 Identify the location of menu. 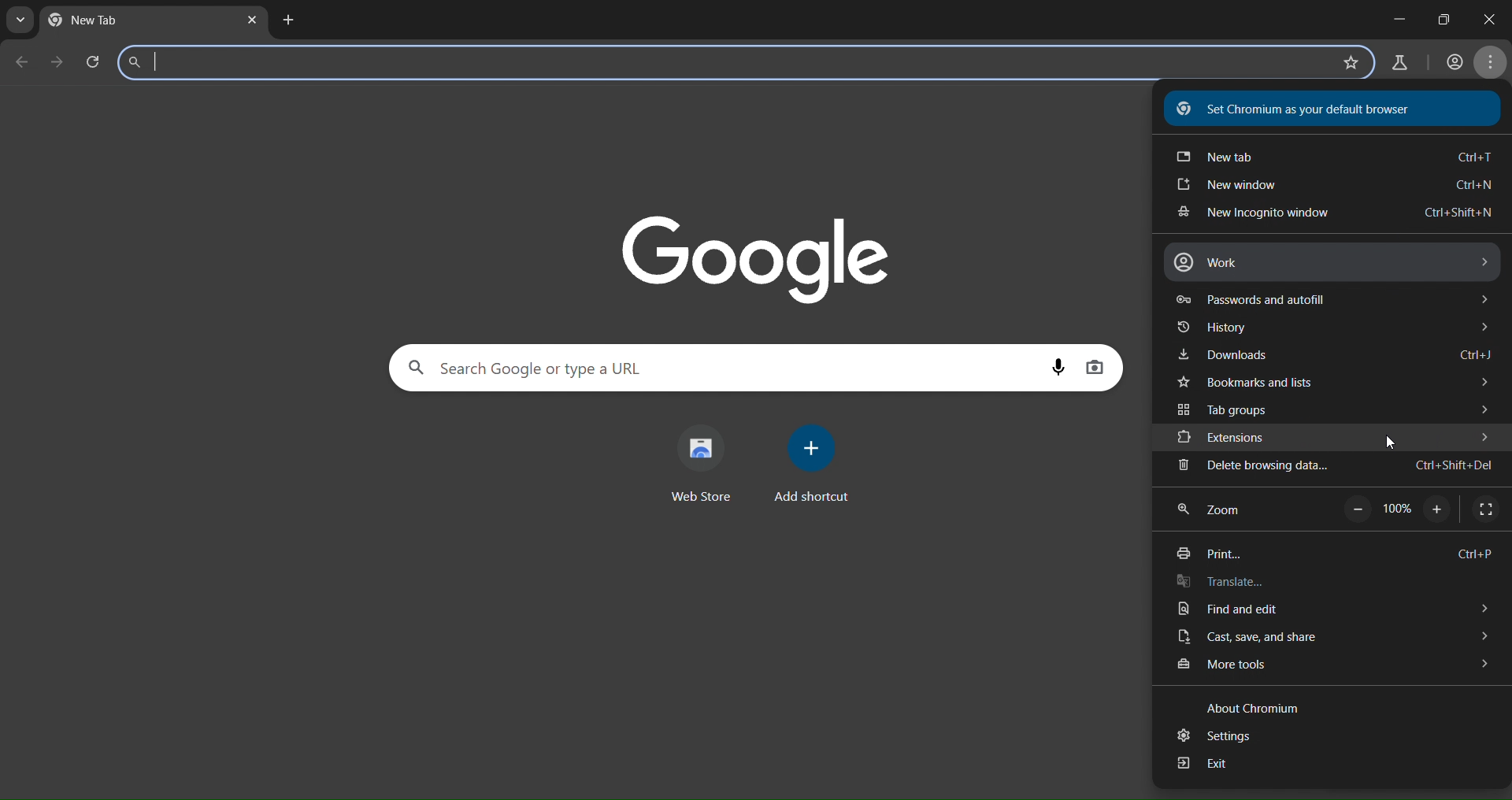
(1490, 61).